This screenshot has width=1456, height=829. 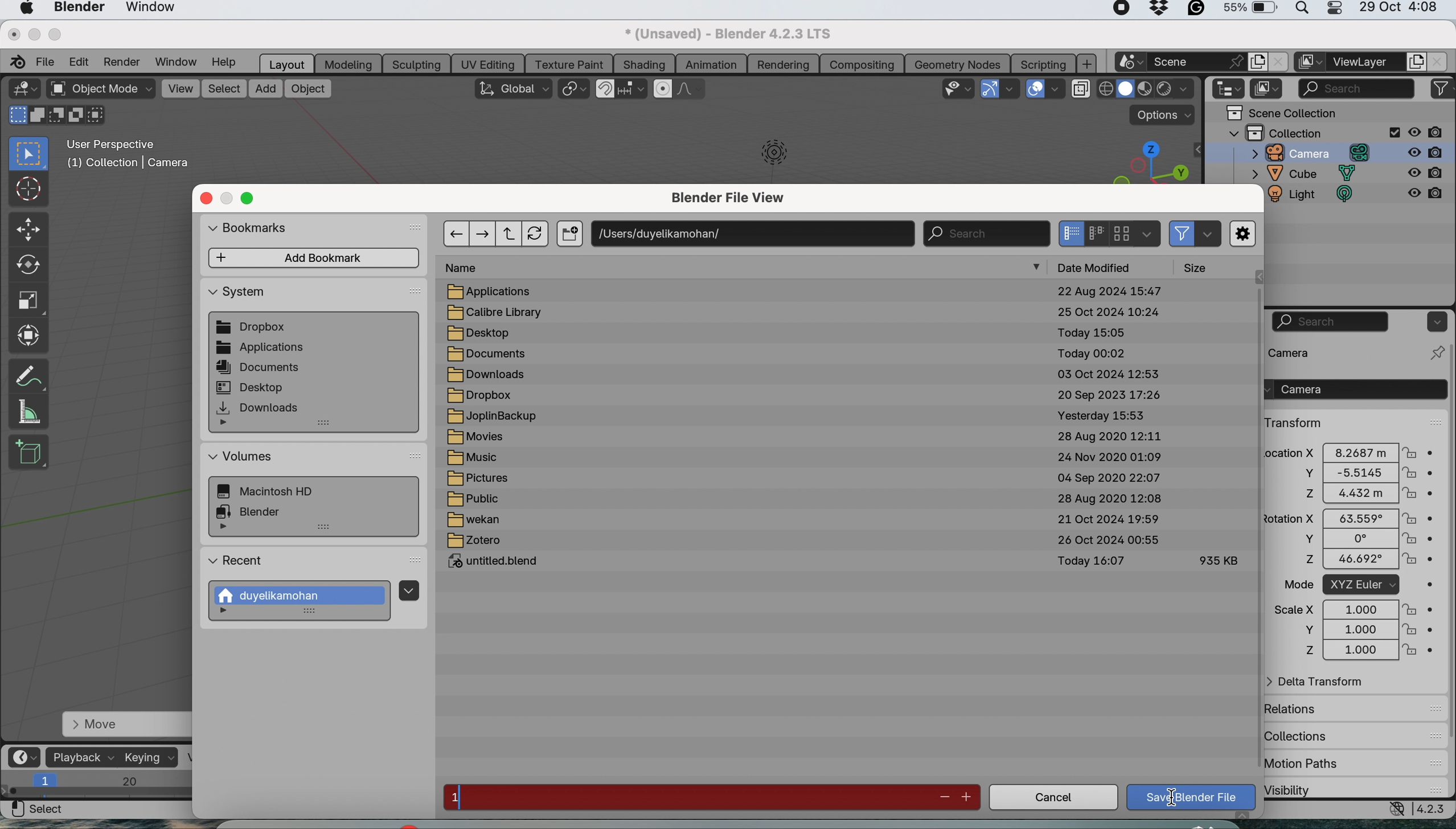 I want to click on overlays, so click(x=1057, y=91).